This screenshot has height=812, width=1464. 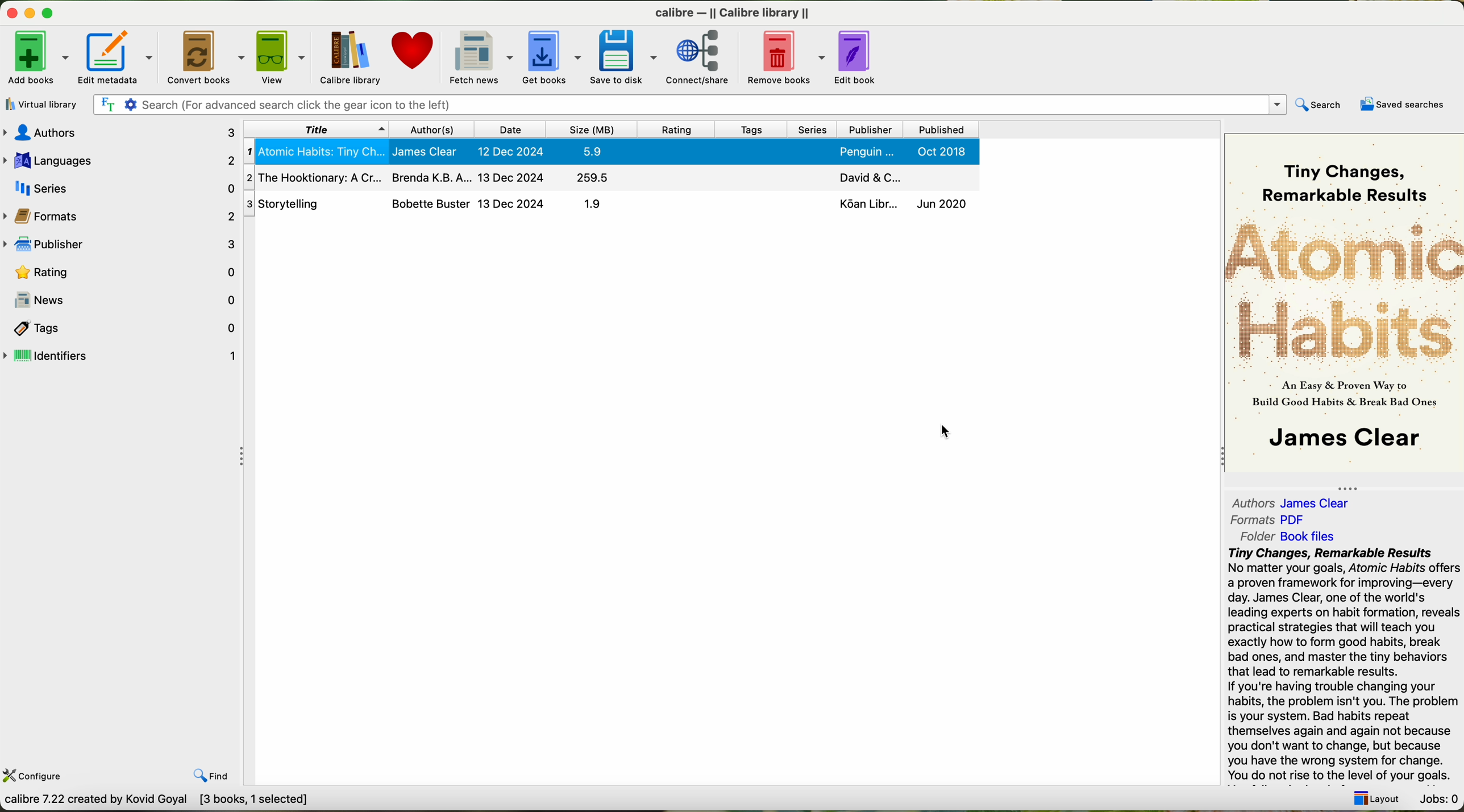 What do you see at coordinates (731, 13) in the screenshot?
I see `calibre — || Calibre library ||` at bounding box center [731, 13].